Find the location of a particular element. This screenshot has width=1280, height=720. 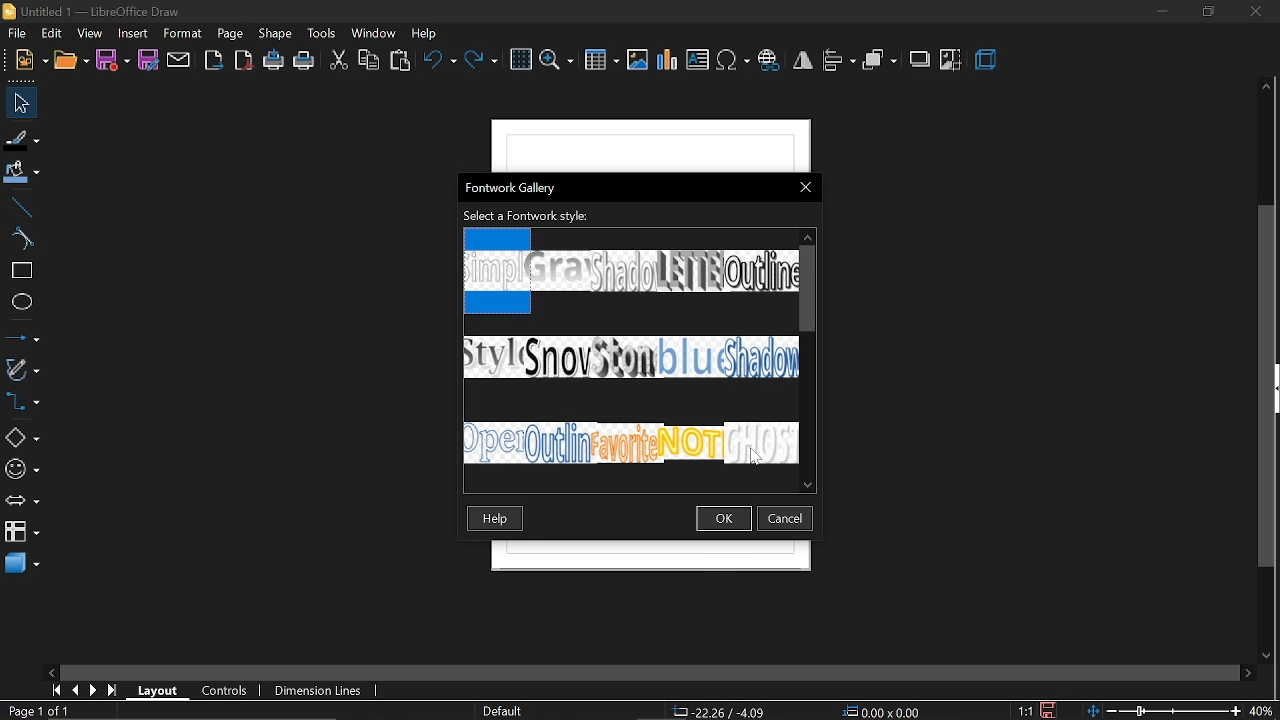

undo is located at coordinates (439, 62).